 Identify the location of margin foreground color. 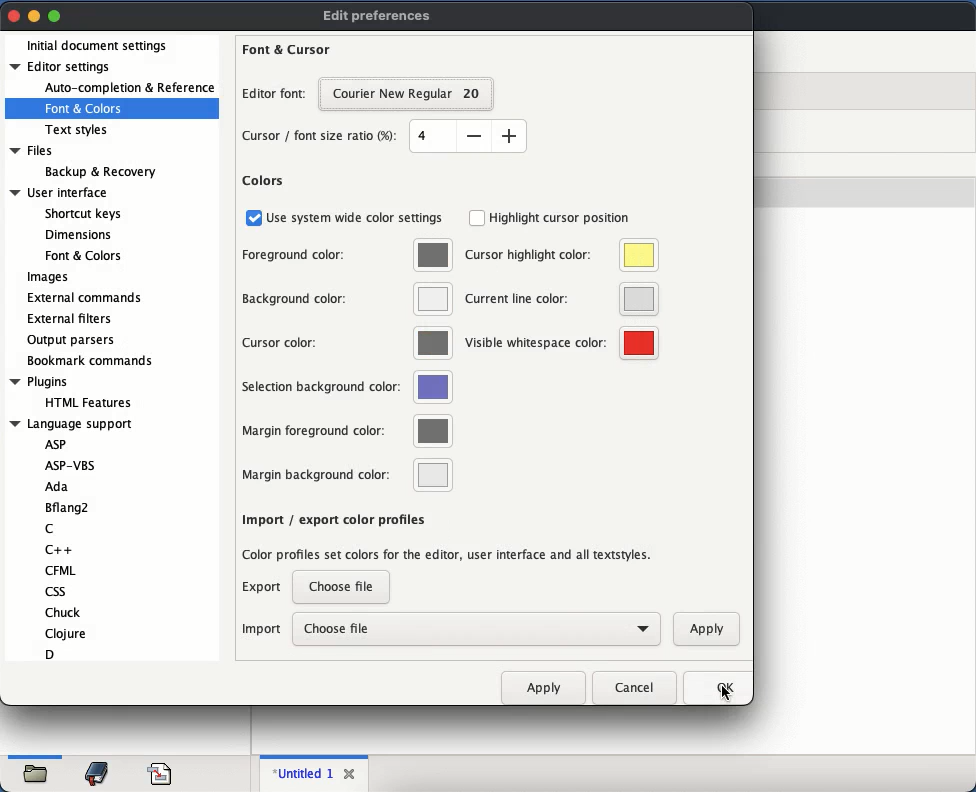
(323, 432).